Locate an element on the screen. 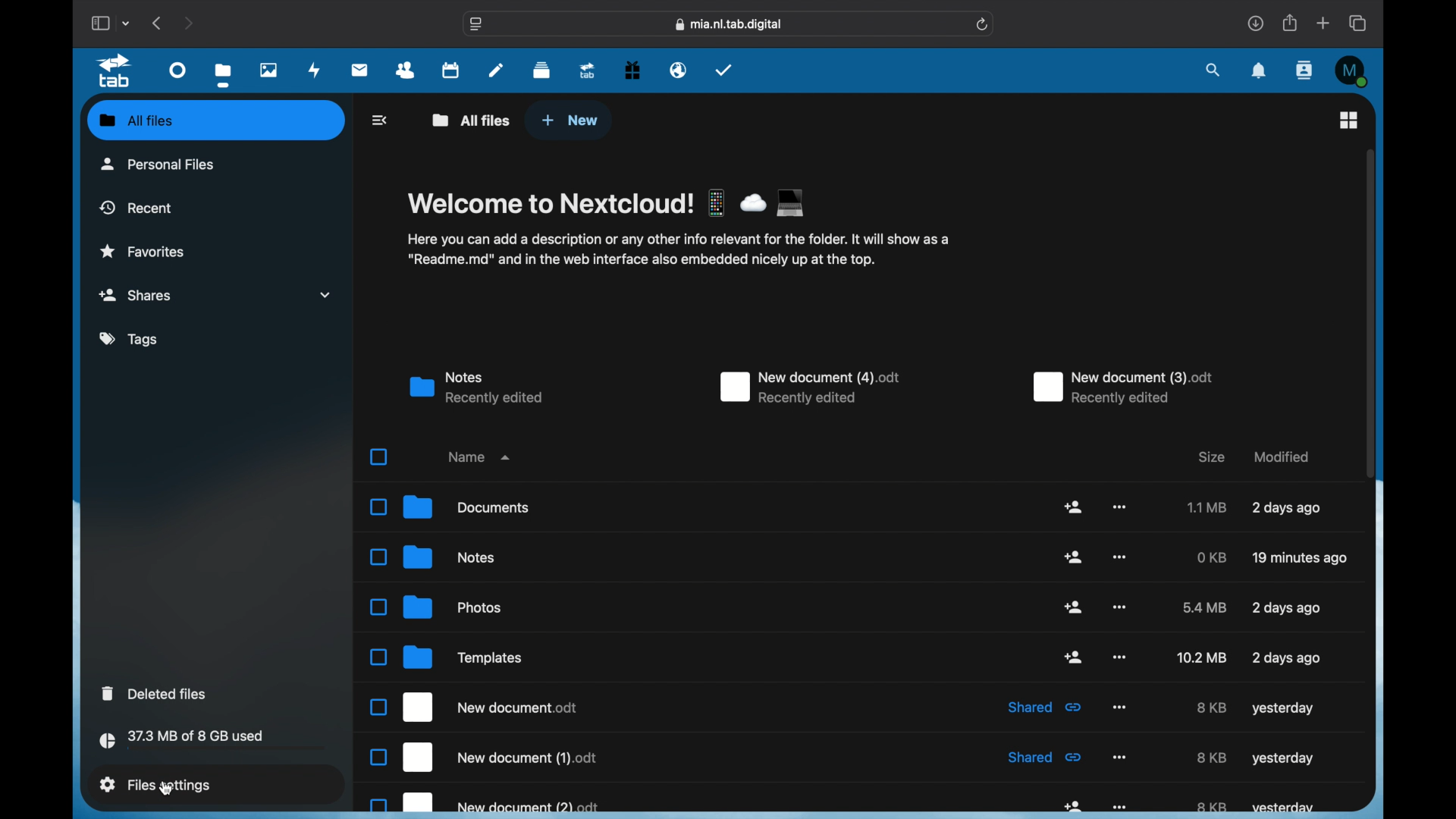  cursor is located at coordinates (168, 784).